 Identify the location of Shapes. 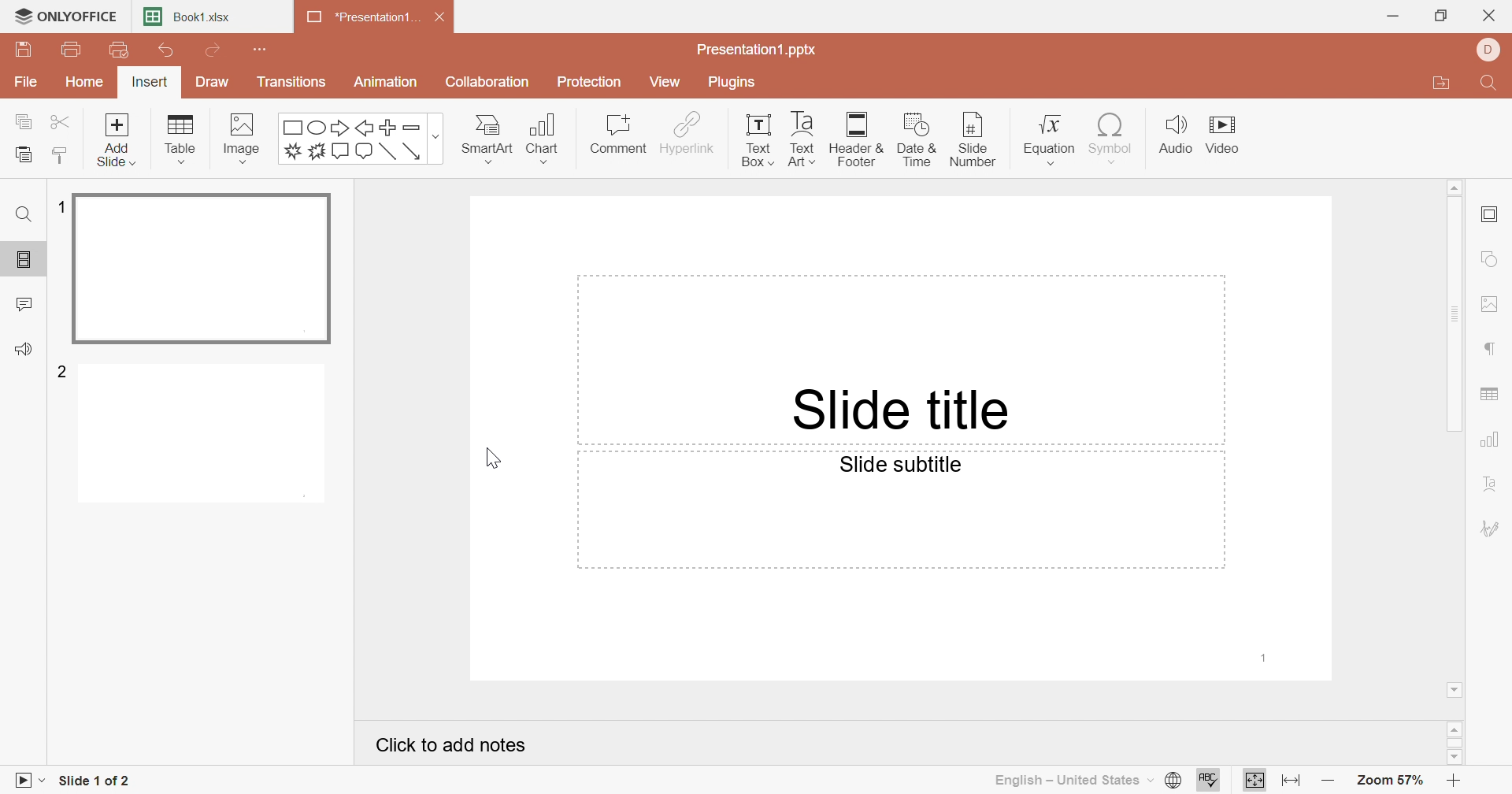
(362, 139).